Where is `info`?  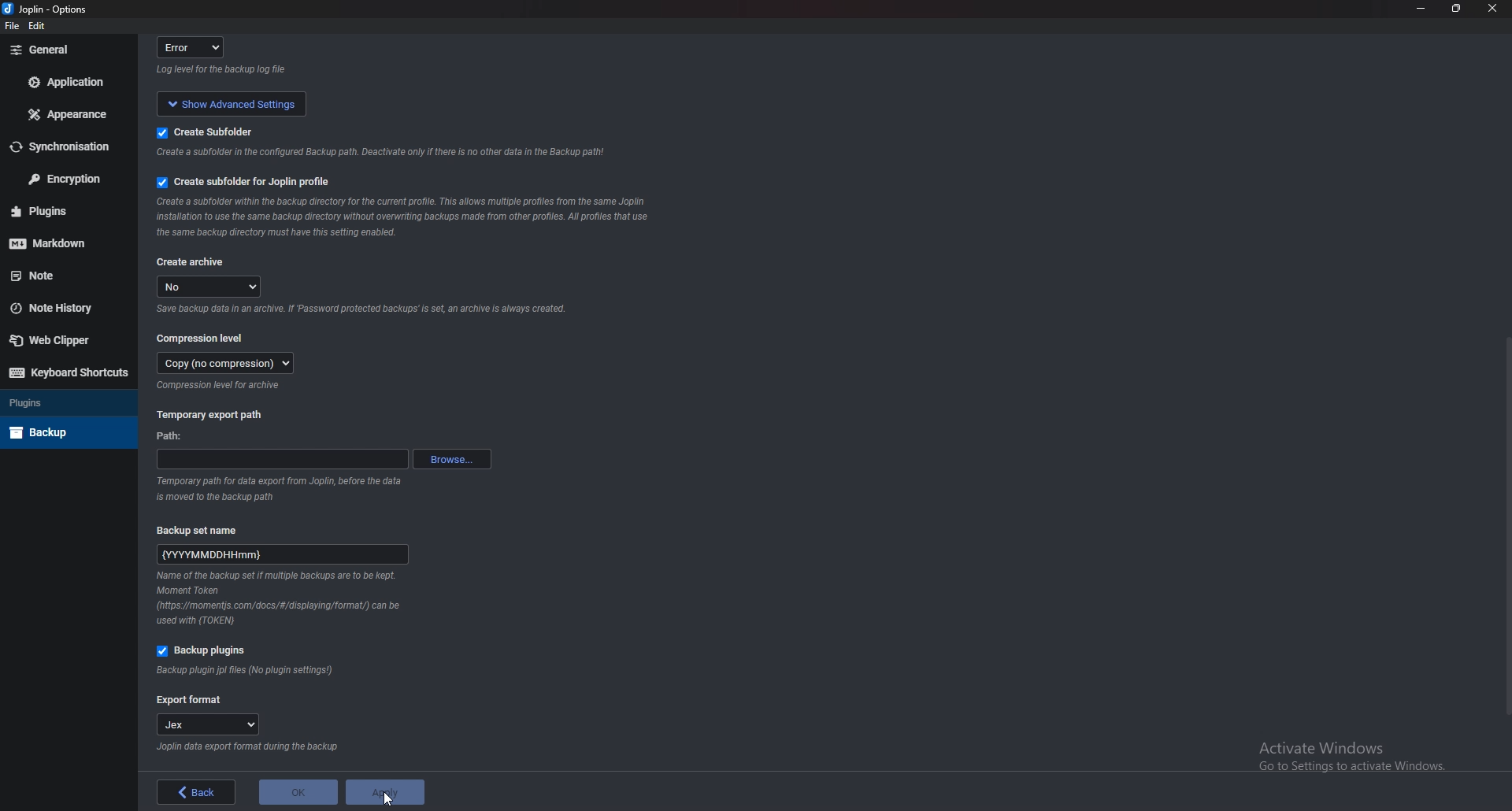 info is located at coordinates (376, 154).